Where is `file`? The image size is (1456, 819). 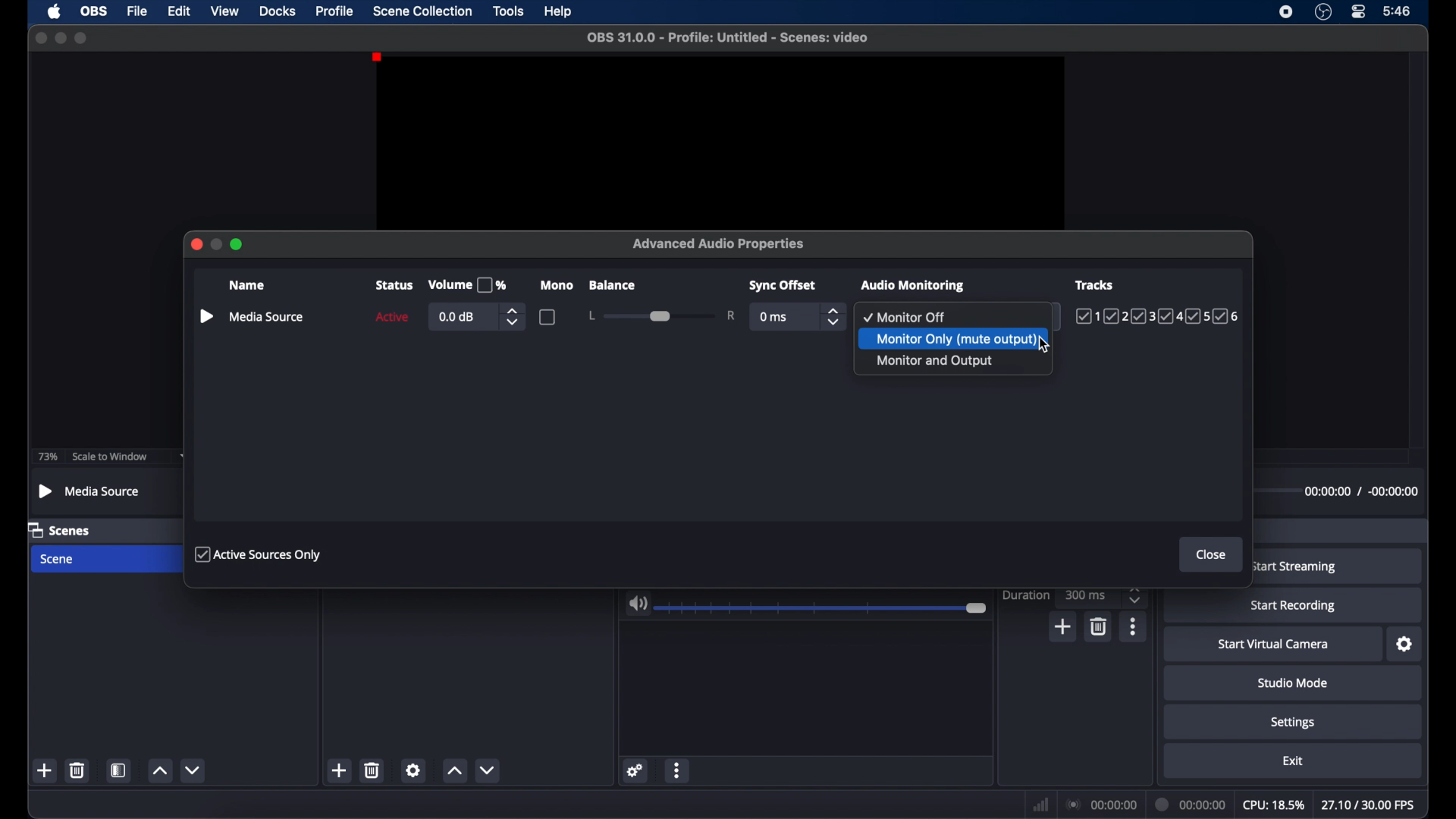
file is located at coordinates (136, 11).